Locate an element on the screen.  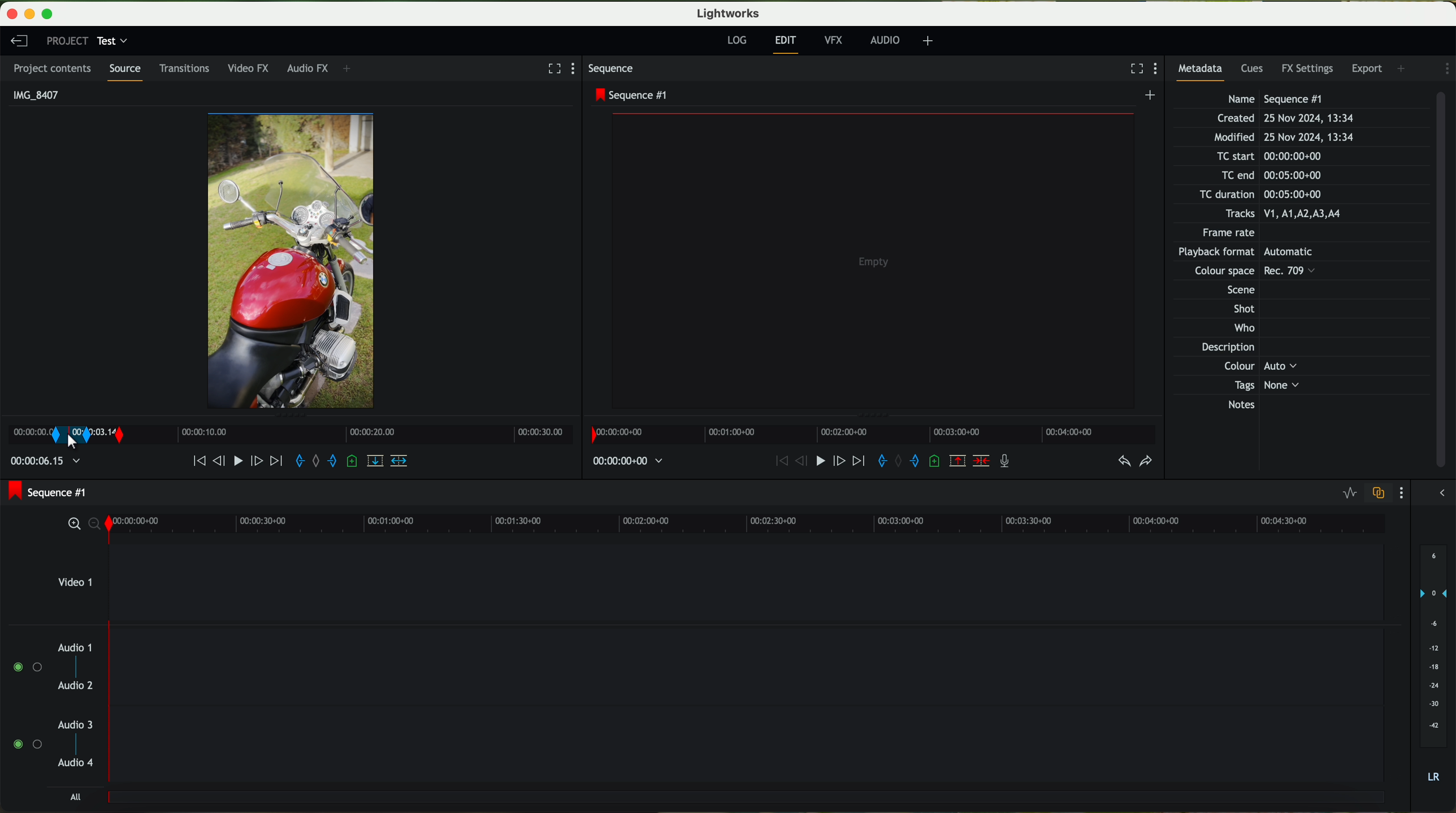
fullscreen is located at coordinates (1132, 68).